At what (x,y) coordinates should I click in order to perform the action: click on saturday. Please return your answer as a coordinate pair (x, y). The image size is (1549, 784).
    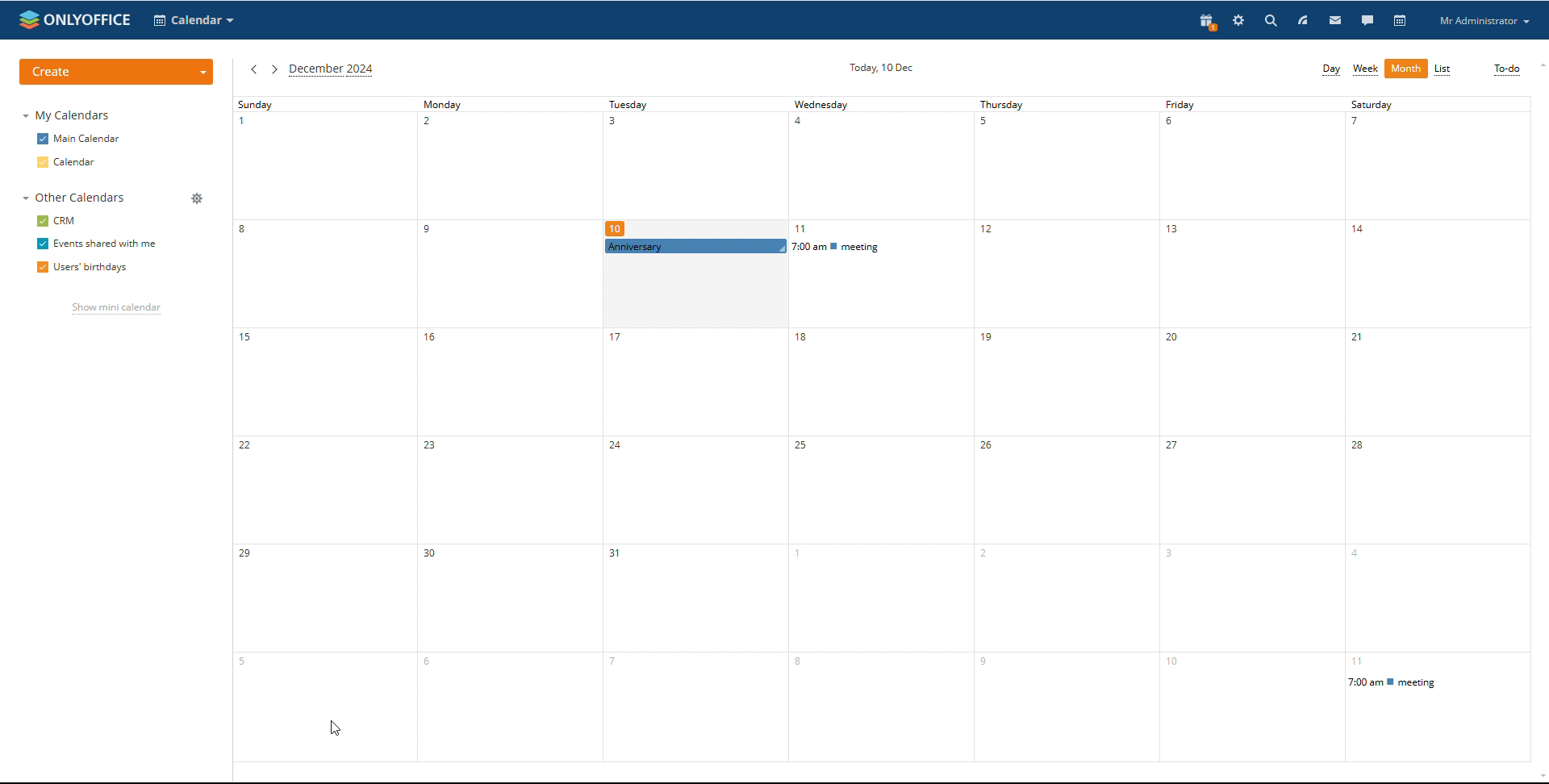
    Looking at the image, I should click on (1435, 383).